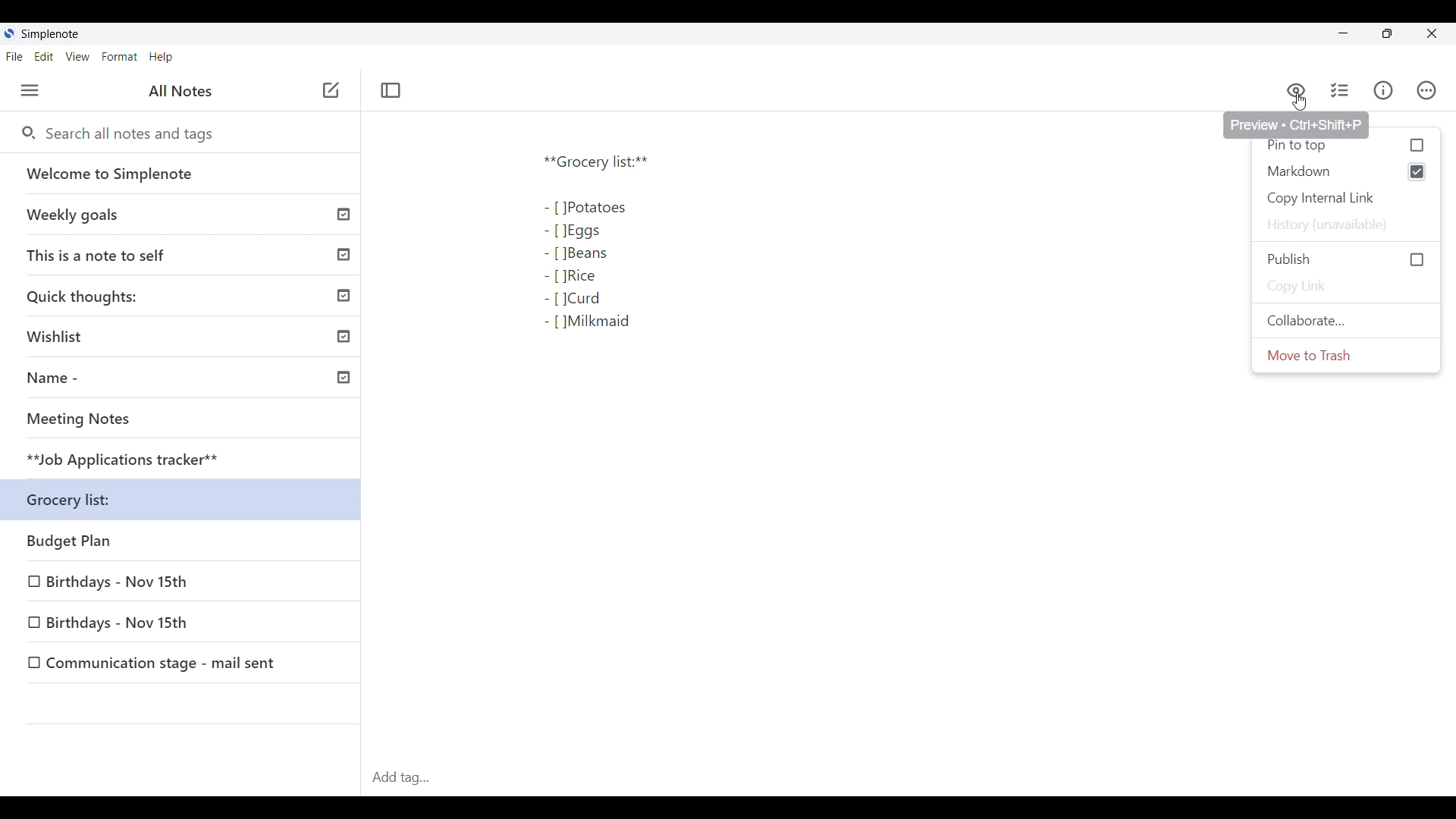  Describe the element at coordinates (1329, 171) in the screenshot. I see `Markdown` at that location.